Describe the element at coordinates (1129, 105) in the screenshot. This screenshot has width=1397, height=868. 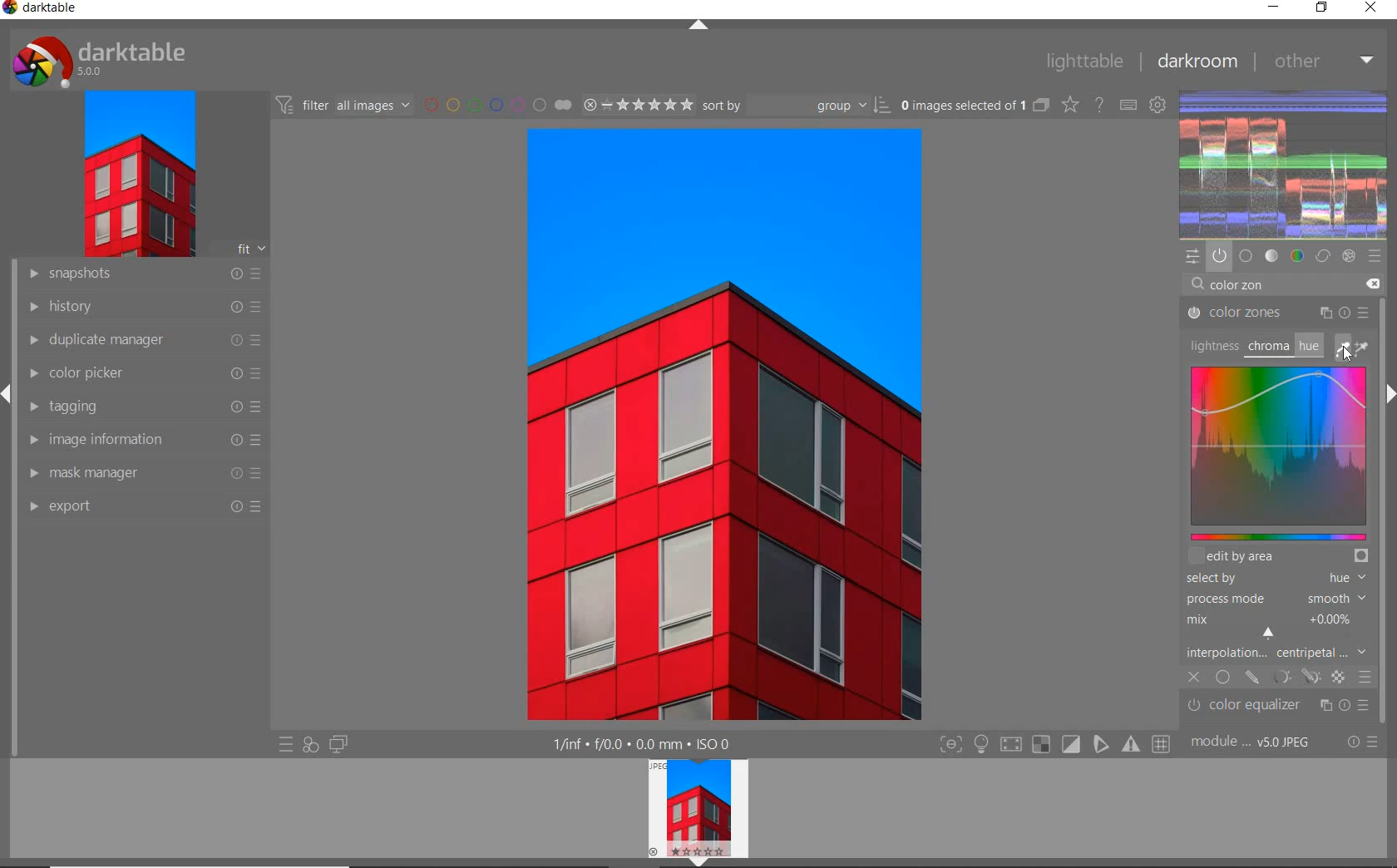
I see `define keyboard shortcuts` at that location.